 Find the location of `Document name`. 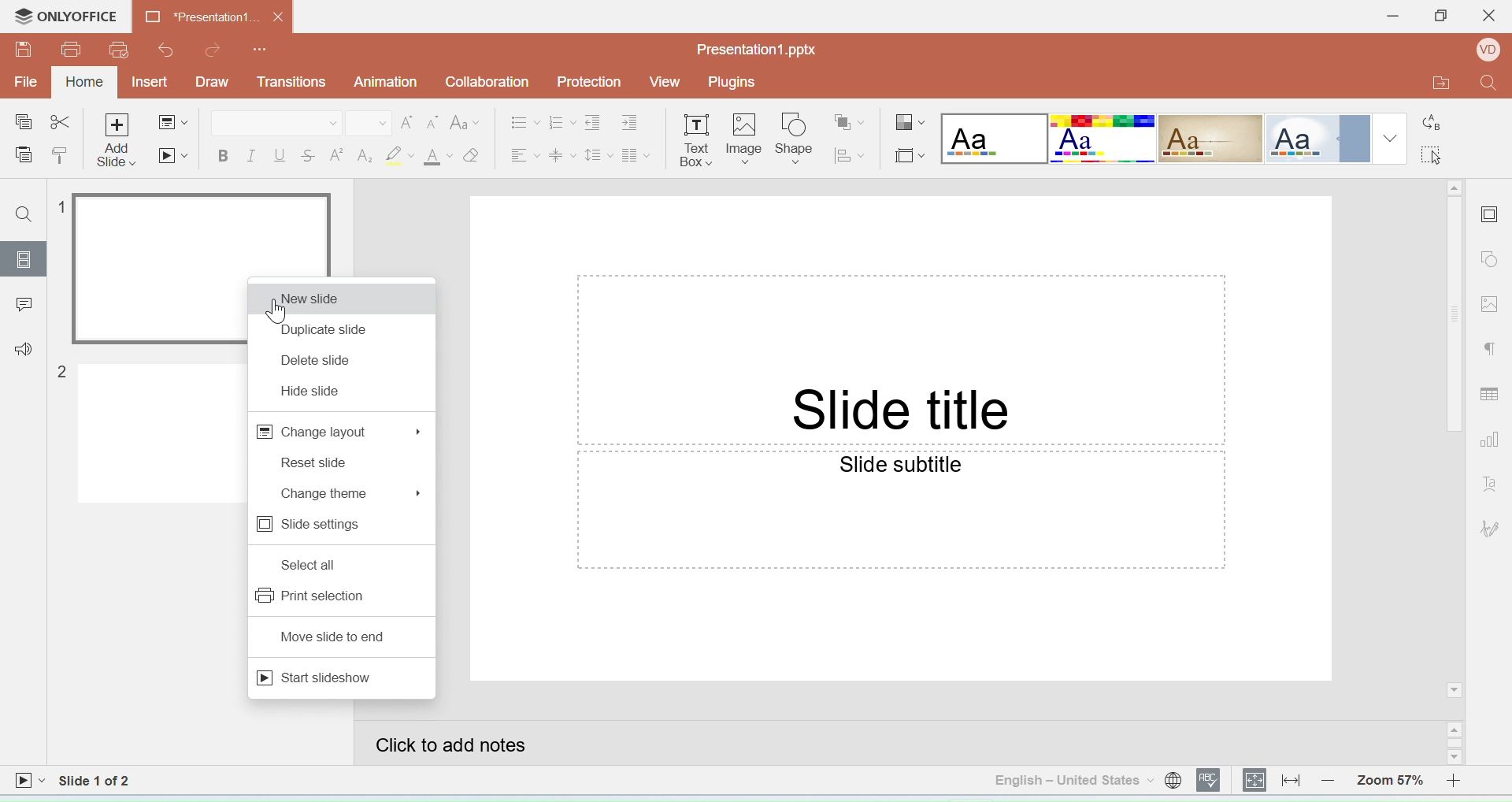

Document name is located at coordinates (213, 16).